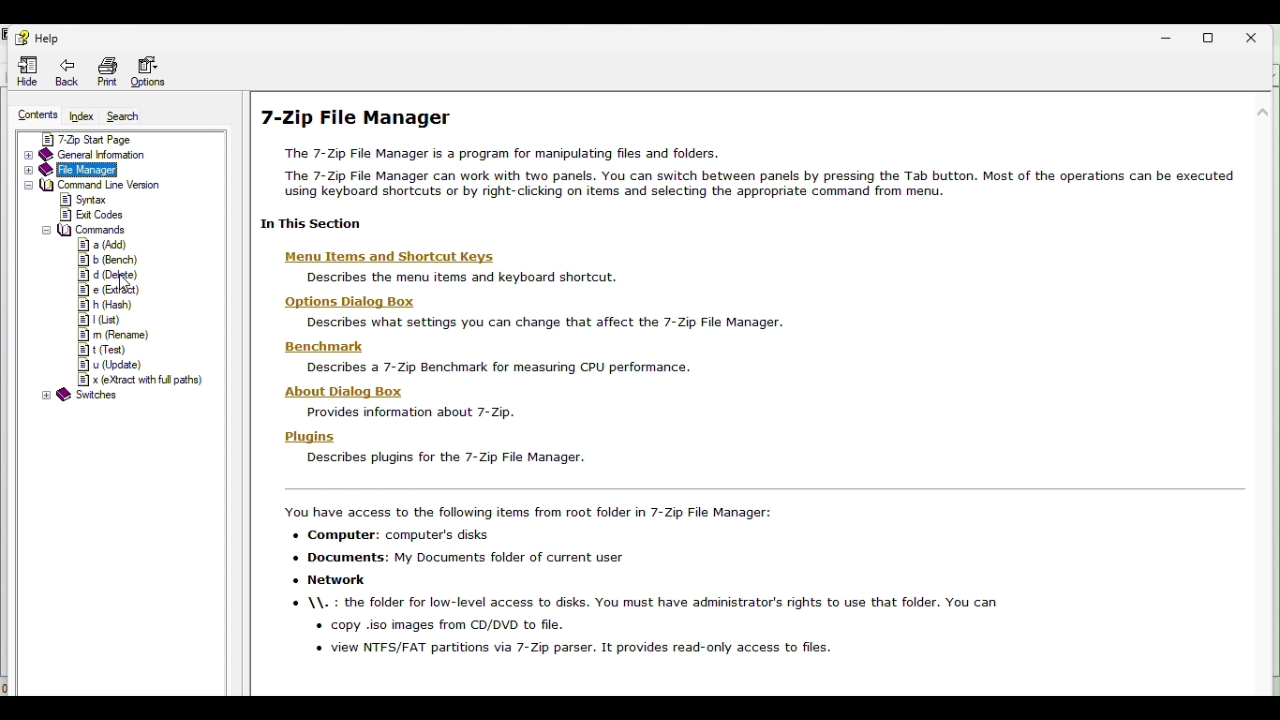 This screenshot has width=1280, height=720. What do you see at coordinates (335, 389) in the screenshot?
I see `‘About Dialog Box` at bounding box center [335, 389].